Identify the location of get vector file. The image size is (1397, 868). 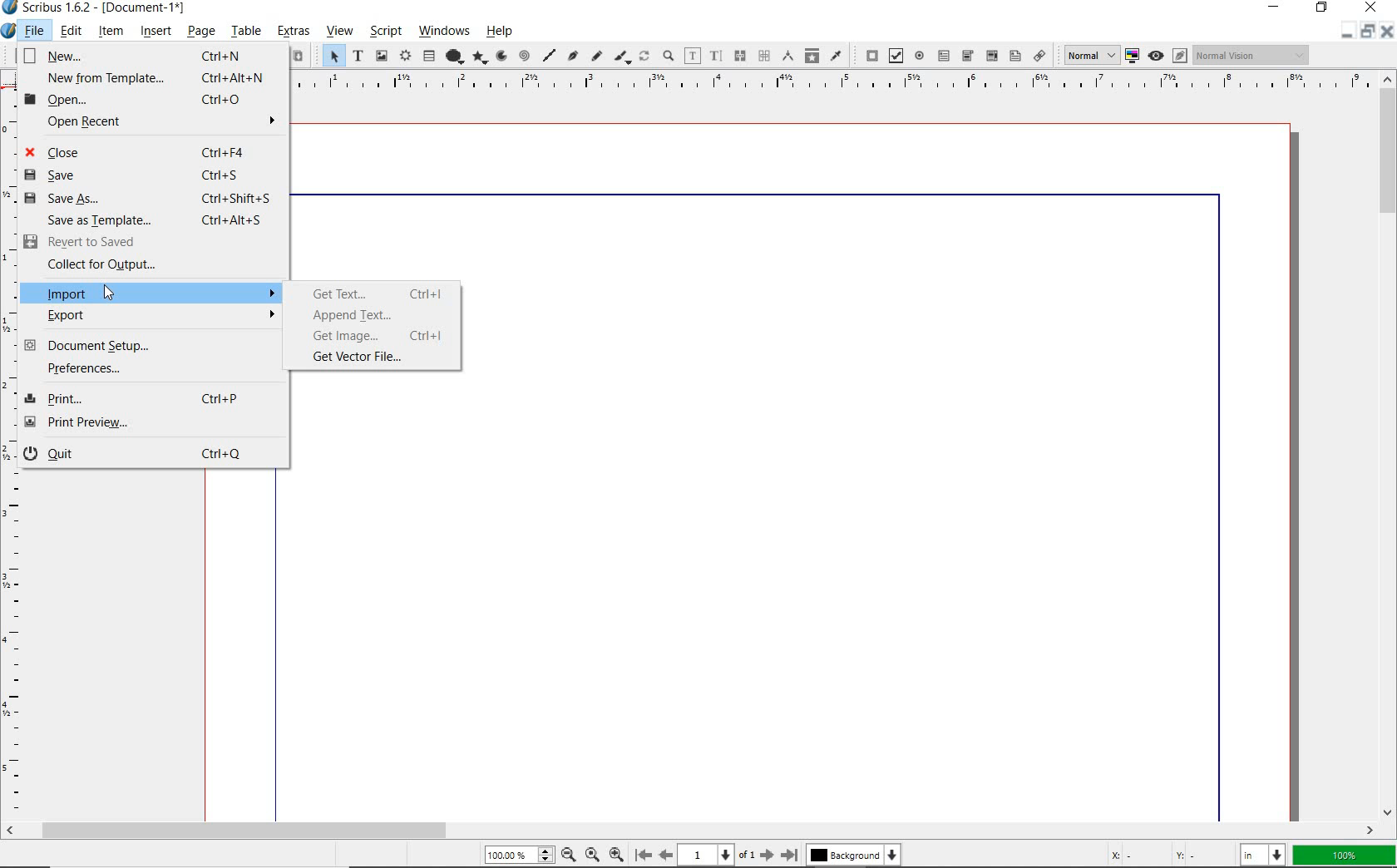
(377, 361).